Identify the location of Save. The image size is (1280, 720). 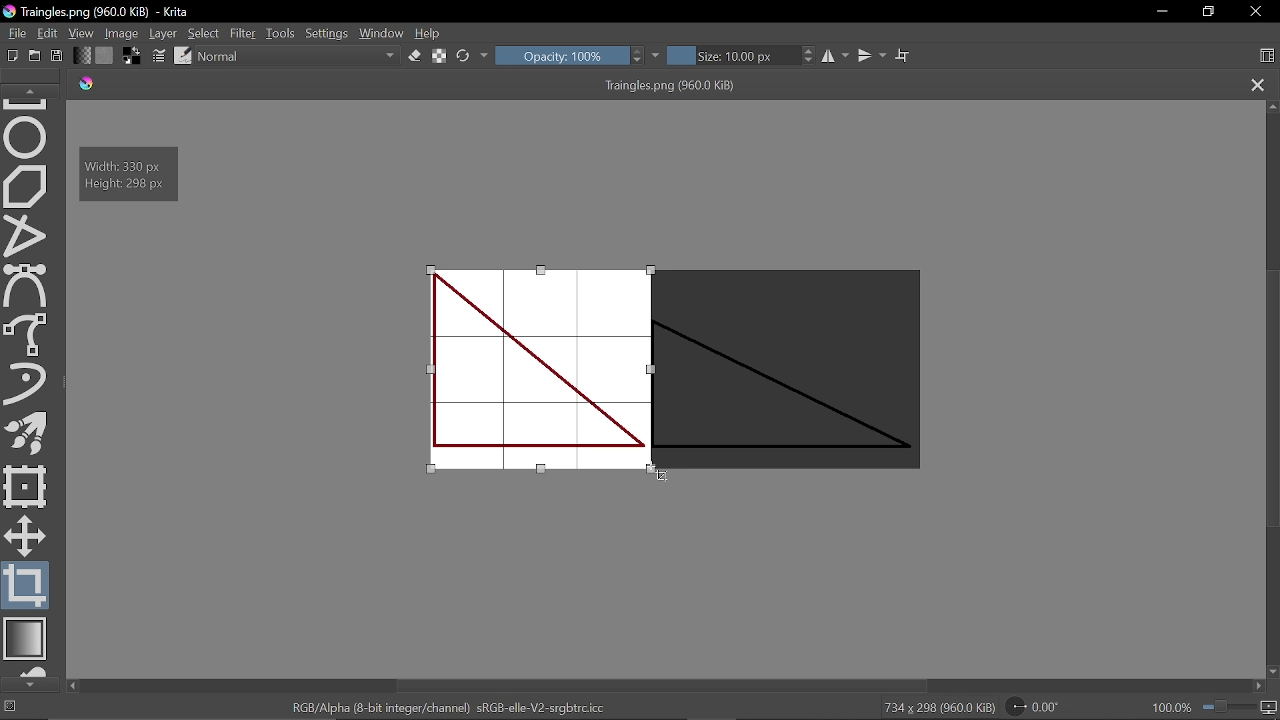
(58, 56).